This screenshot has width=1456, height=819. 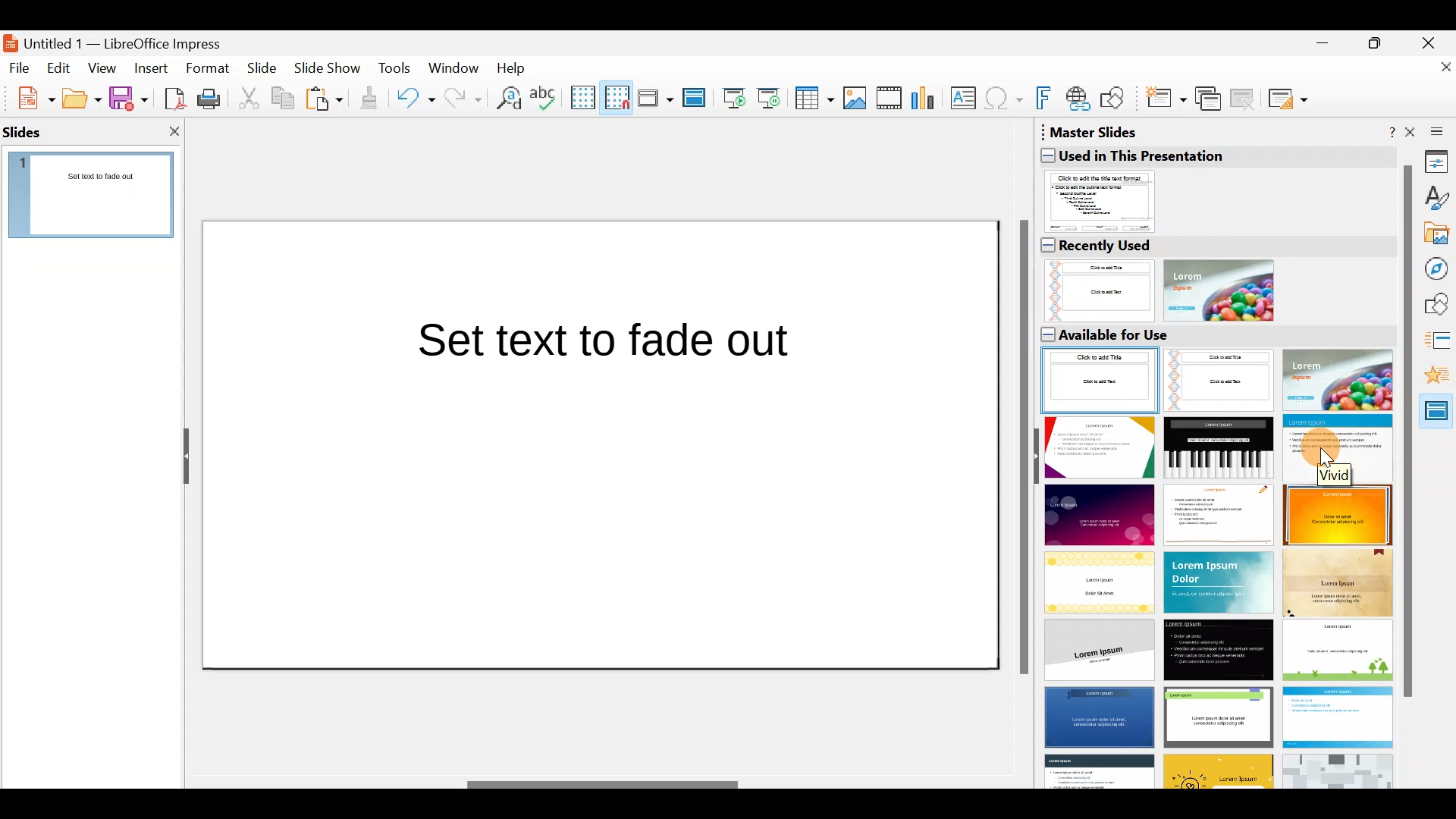 I want to click on Insert fontwork text, so click(x=1046, y=101).